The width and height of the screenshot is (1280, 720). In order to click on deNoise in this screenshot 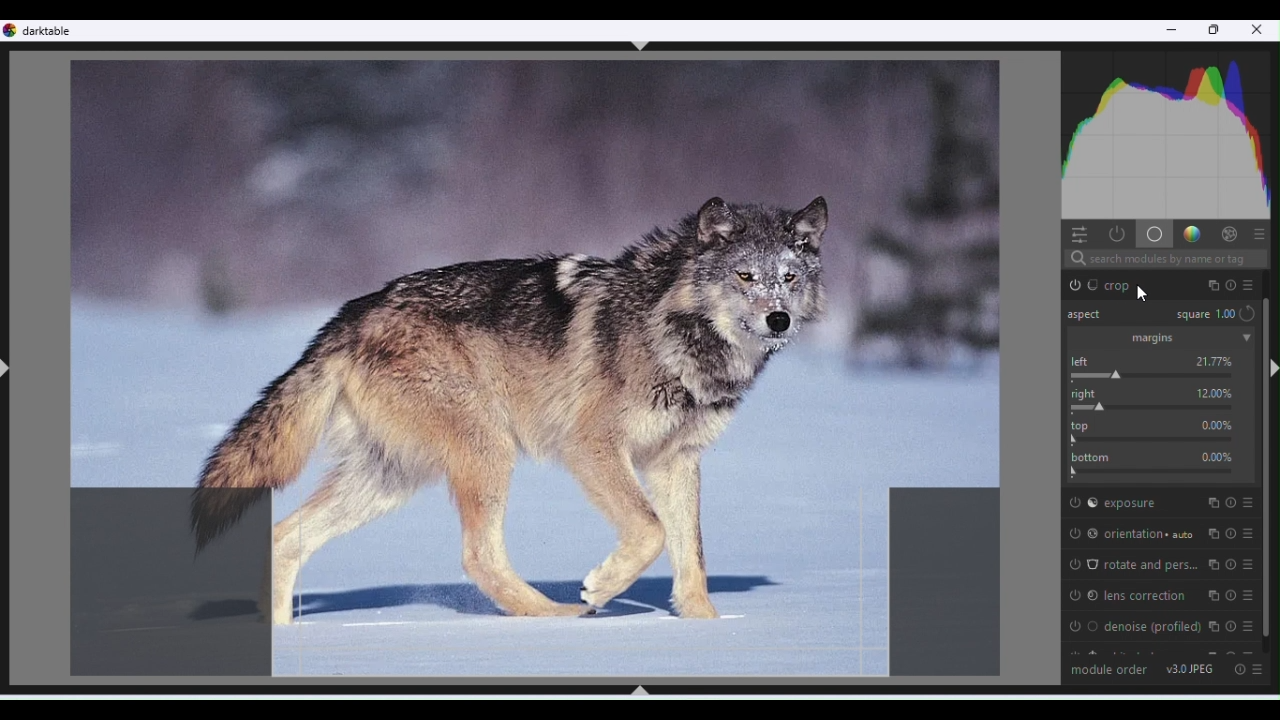, I will do `click(1162, 626)`.